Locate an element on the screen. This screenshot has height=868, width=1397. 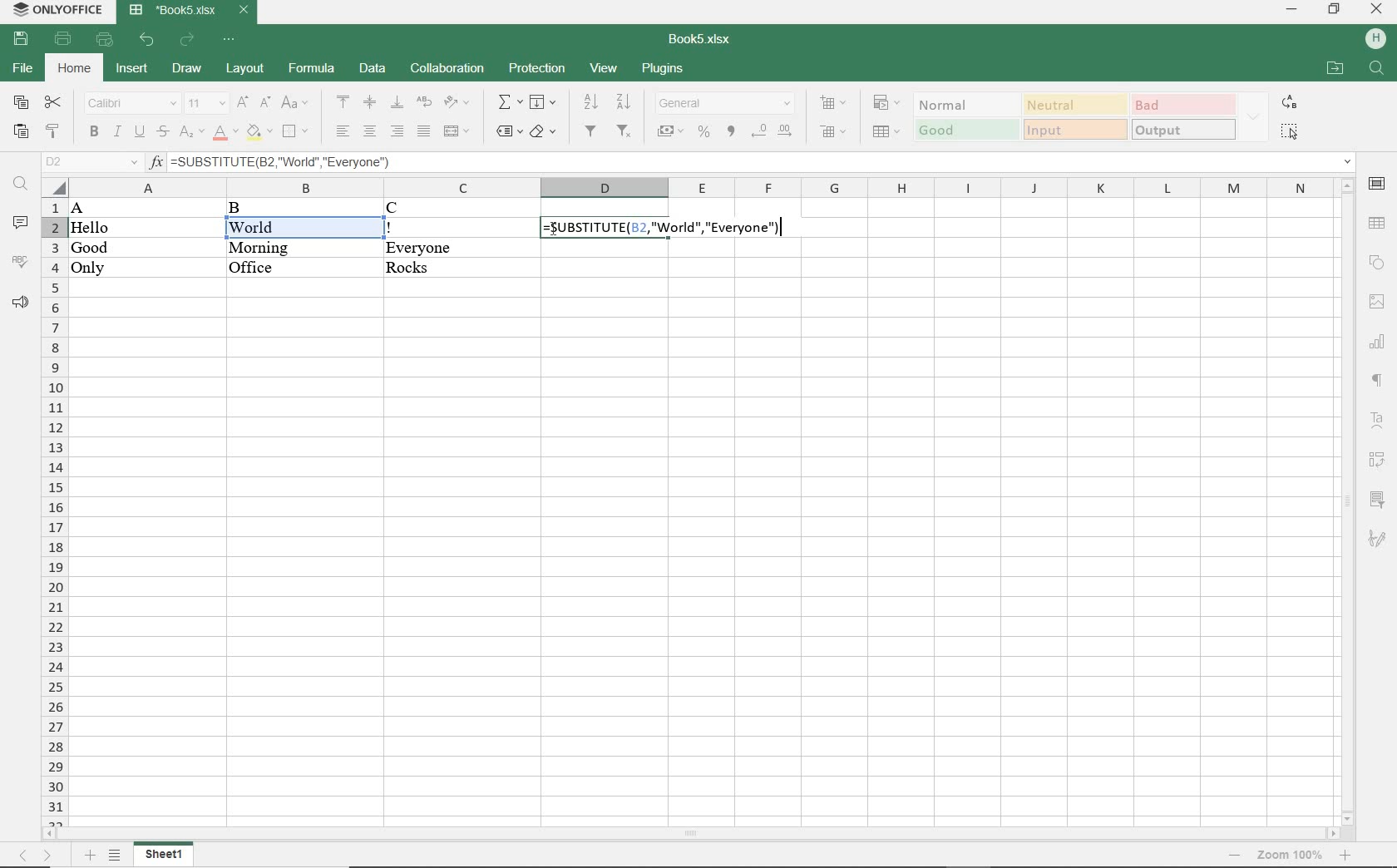
Good is located at coordinates (90, 248).